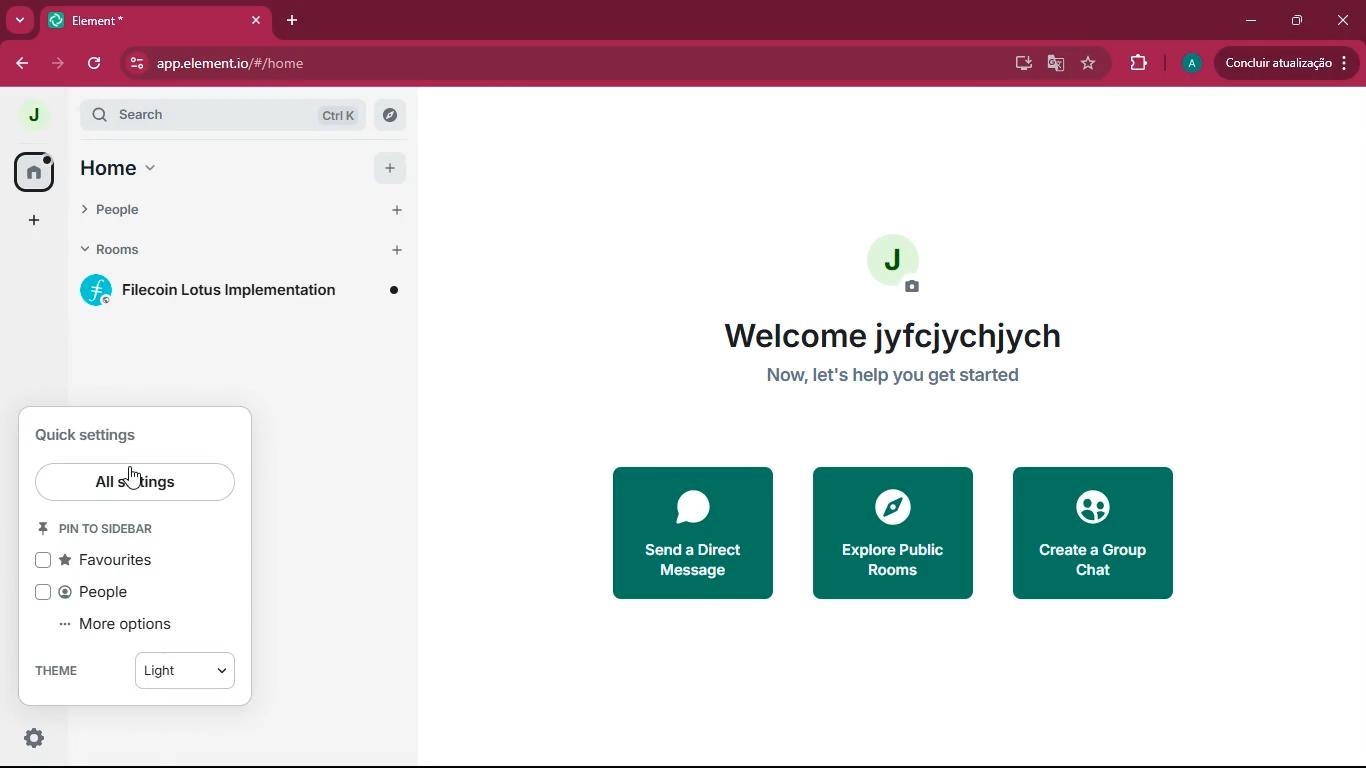 The height and width of the screenshot is (768, 1366). Describe the element at coordinates (300, 64) in the screenshot. I see `url` at that location.